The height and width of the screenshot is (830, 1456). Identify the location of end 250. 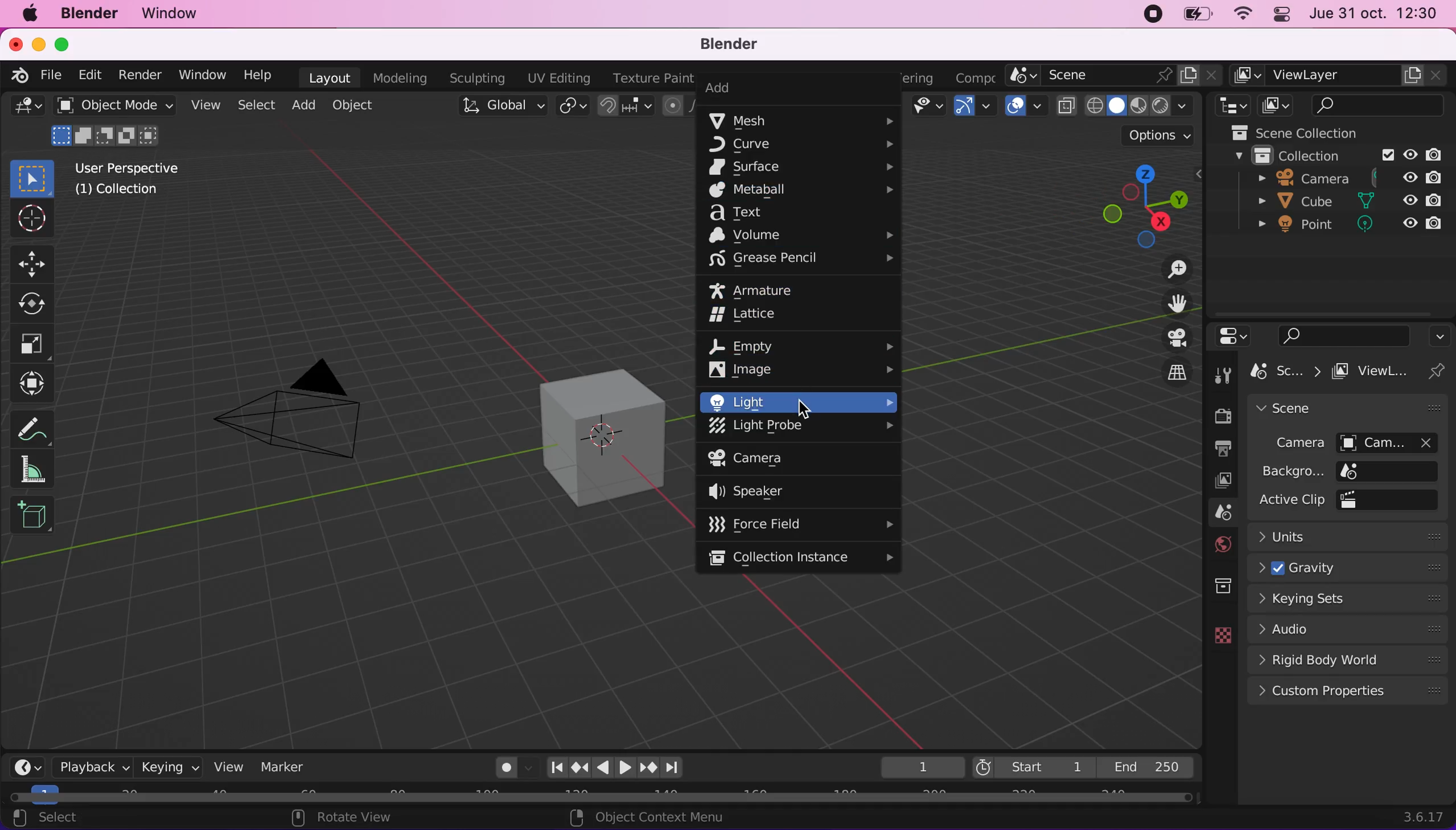
(1150, 767).